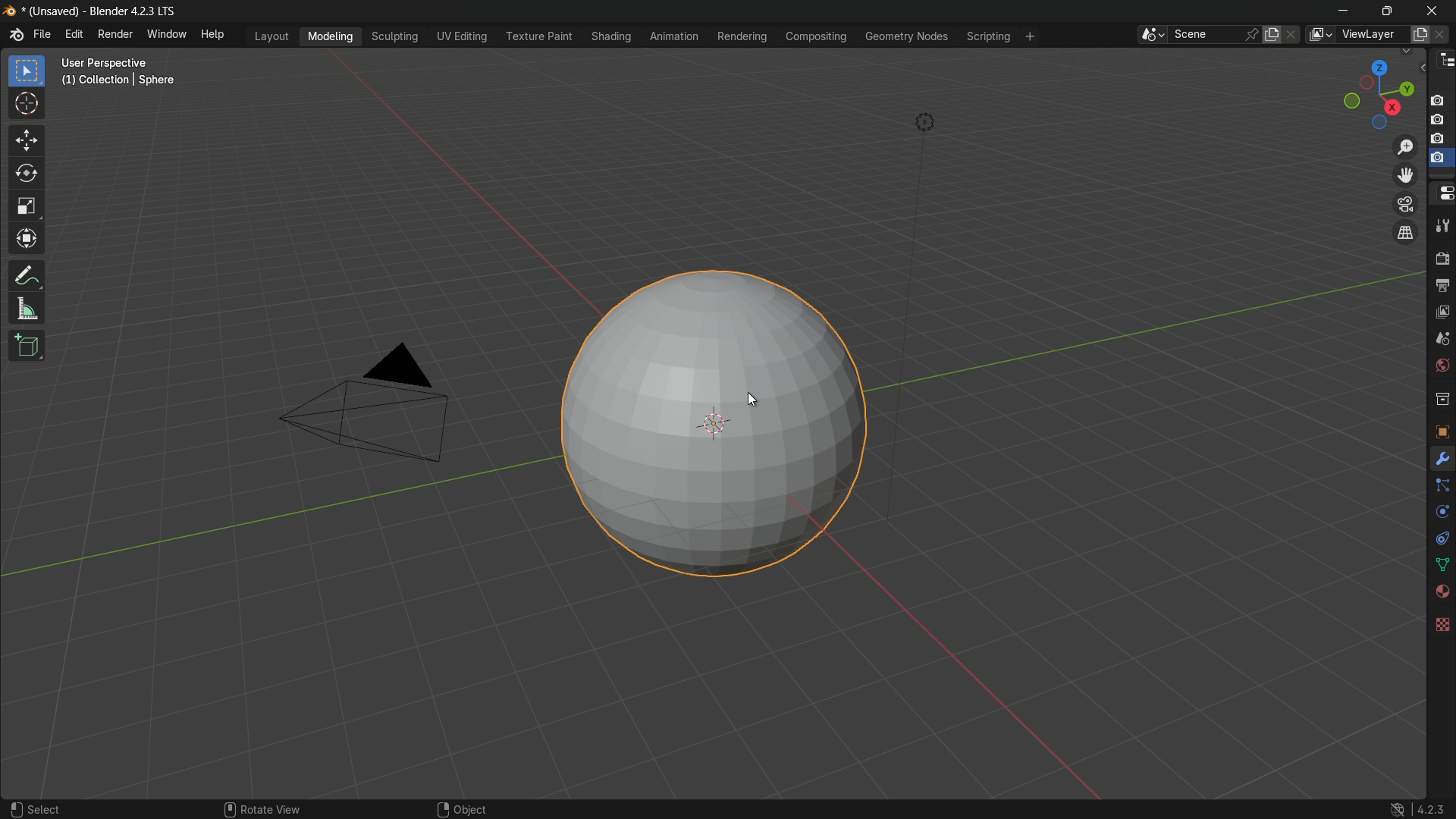 This screenshot has width=1456, height=819. Describe the element at coordinates (1442, 367) in the screenshot. I see `world` at that location.